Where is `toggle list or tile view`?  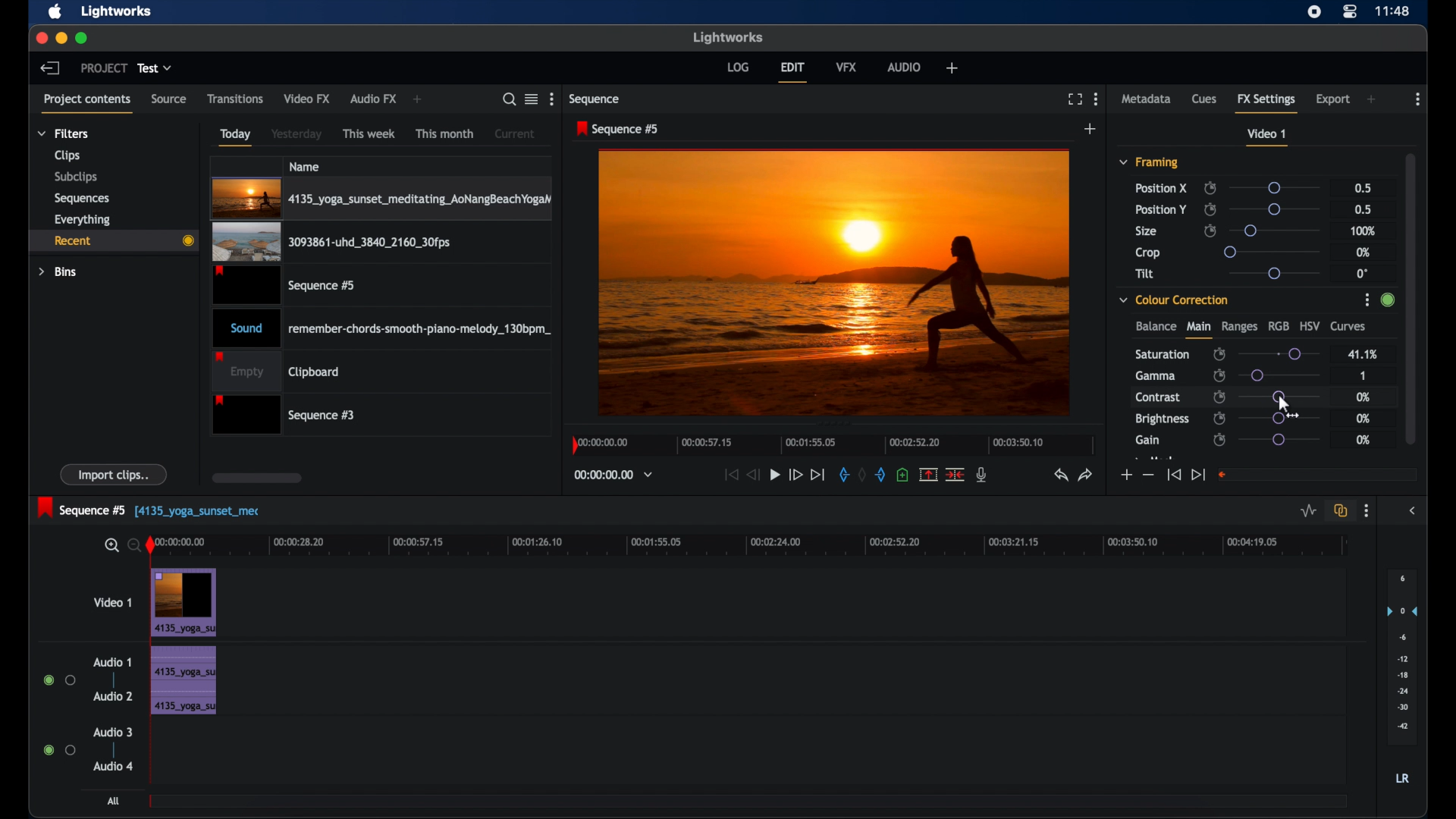
toggle list or tile view is located at coordinates (532, 99).